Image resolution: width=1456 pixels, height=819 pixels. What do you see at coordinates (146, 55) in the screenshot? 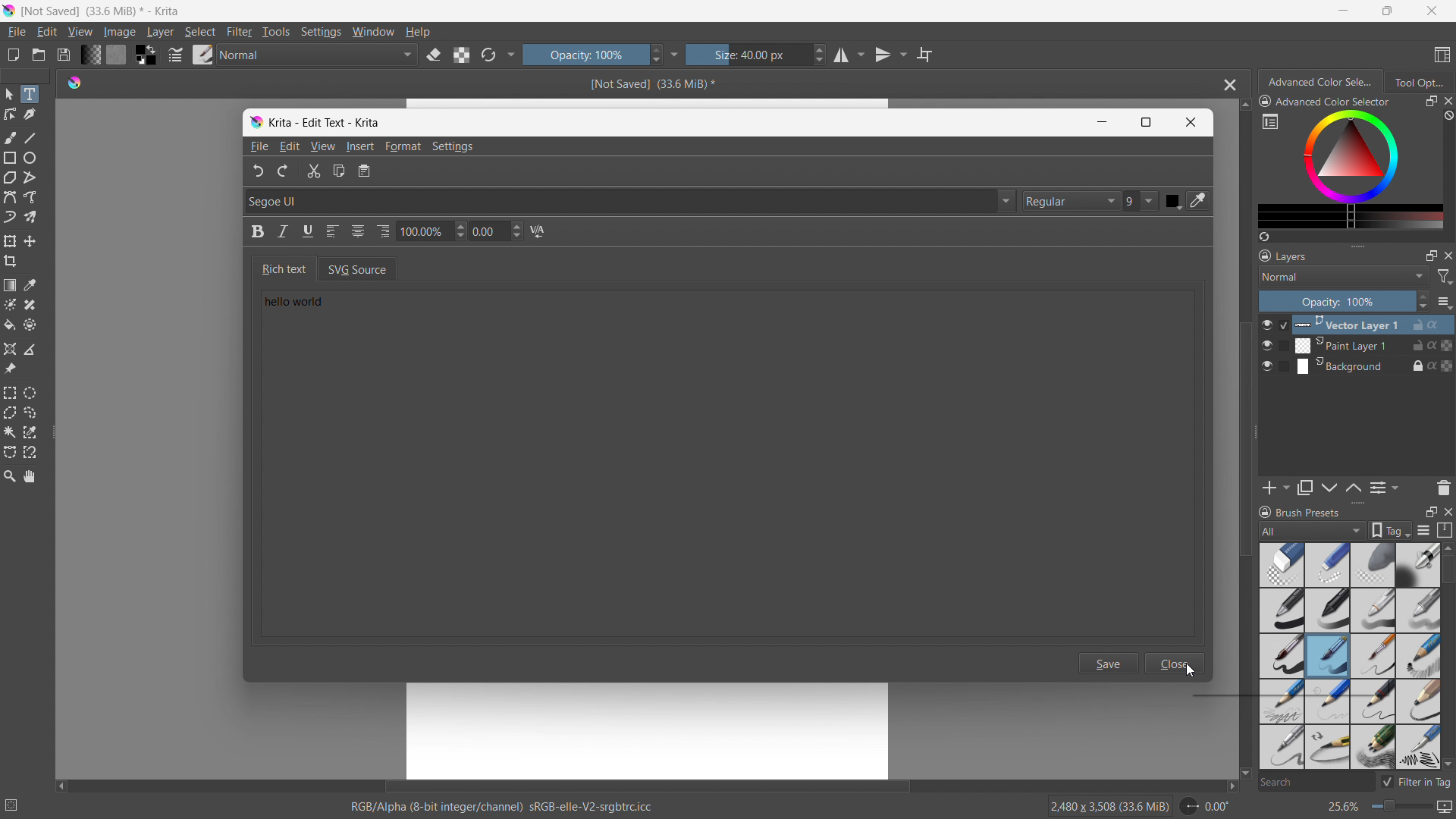
I see `swap foreground and background colors` at bounding box center [146, 55].